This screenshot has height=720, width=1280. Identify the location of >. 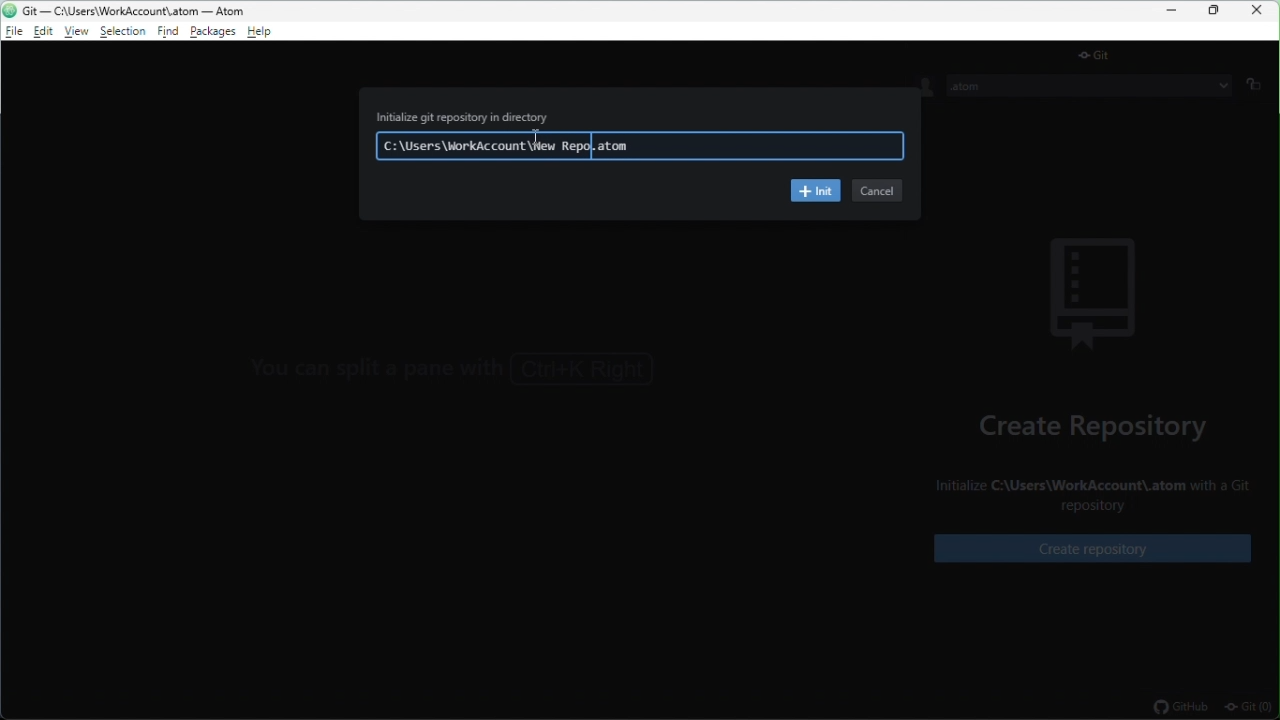
(899, 369).